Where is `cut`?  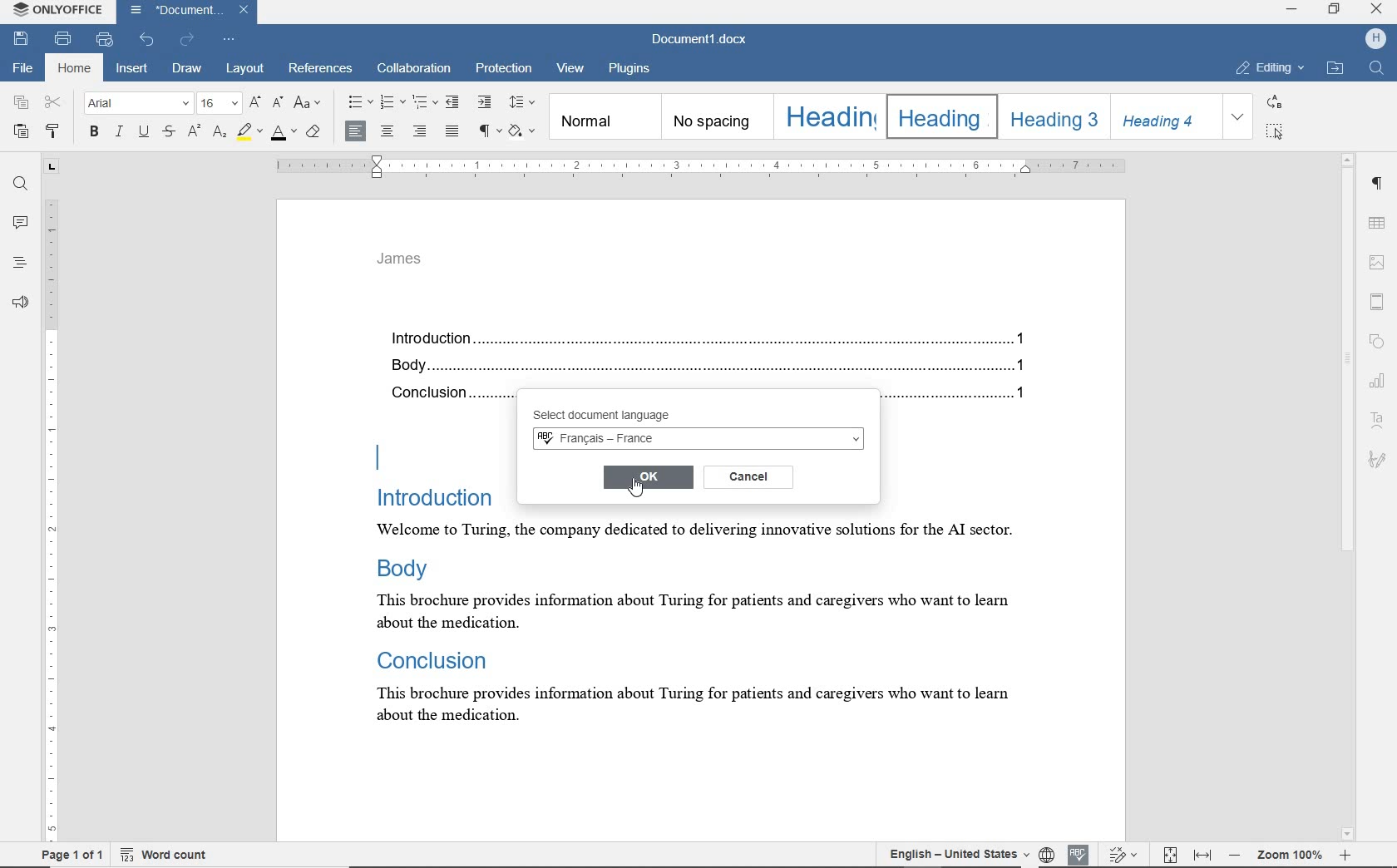 cut is located at coordinates (54, 103).